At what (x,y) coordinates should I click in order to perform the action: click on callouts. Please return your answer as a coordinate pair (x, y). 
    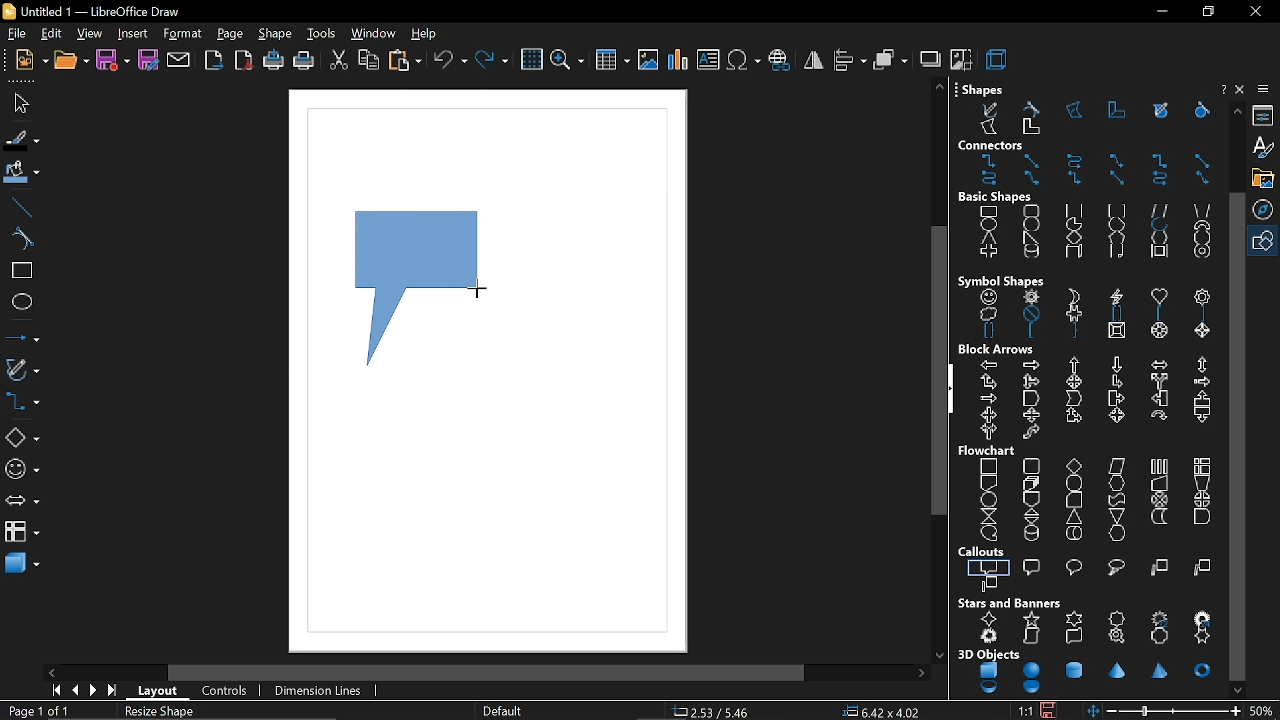
    Looking at the image, I should click on (984, 552).